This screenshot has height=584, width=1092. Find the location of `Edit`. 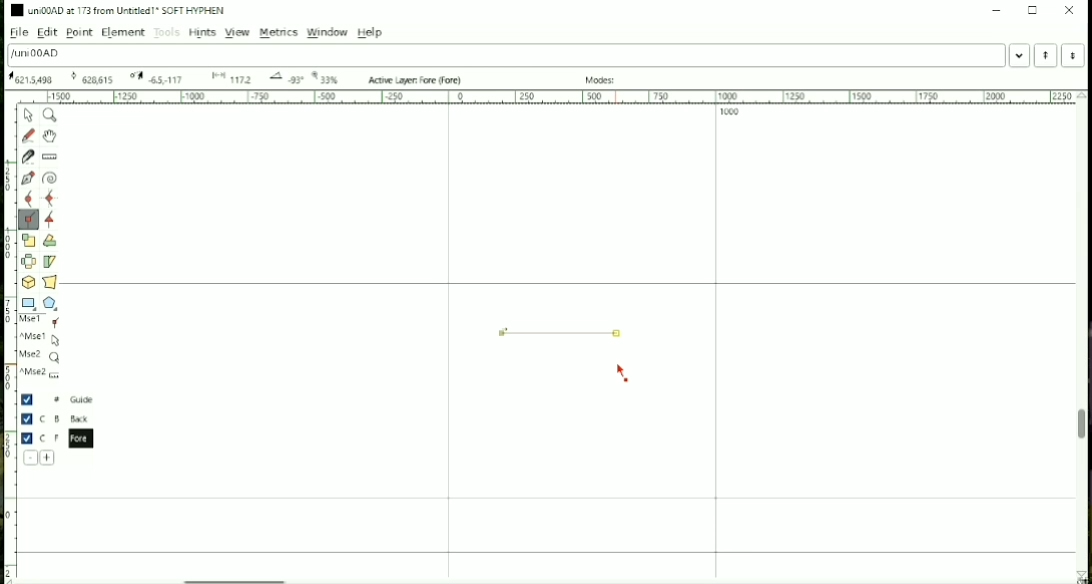

Edit is located at coordinates (49, 33).